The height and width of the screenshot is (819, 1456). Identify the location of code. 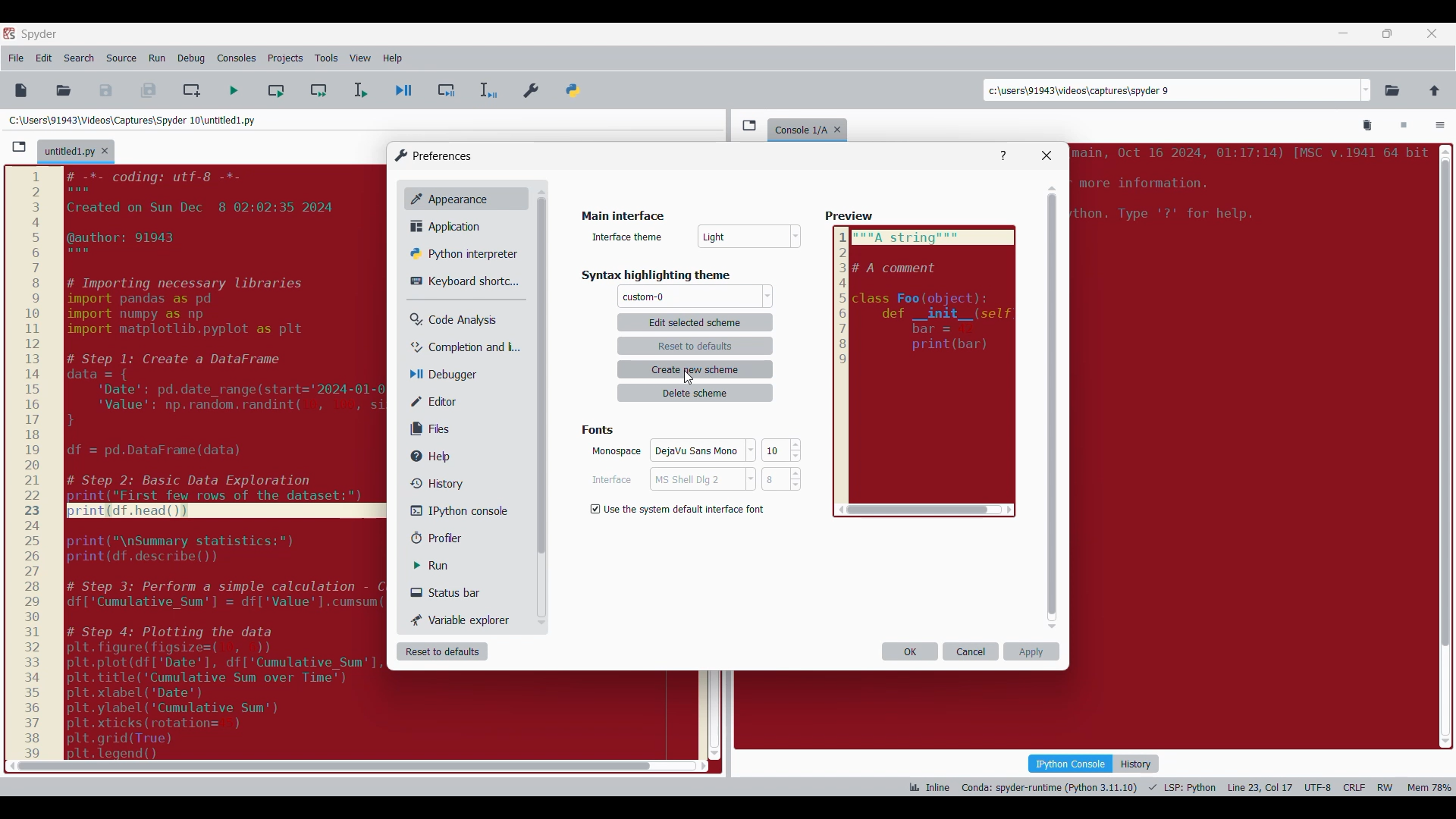
(1247, 190).